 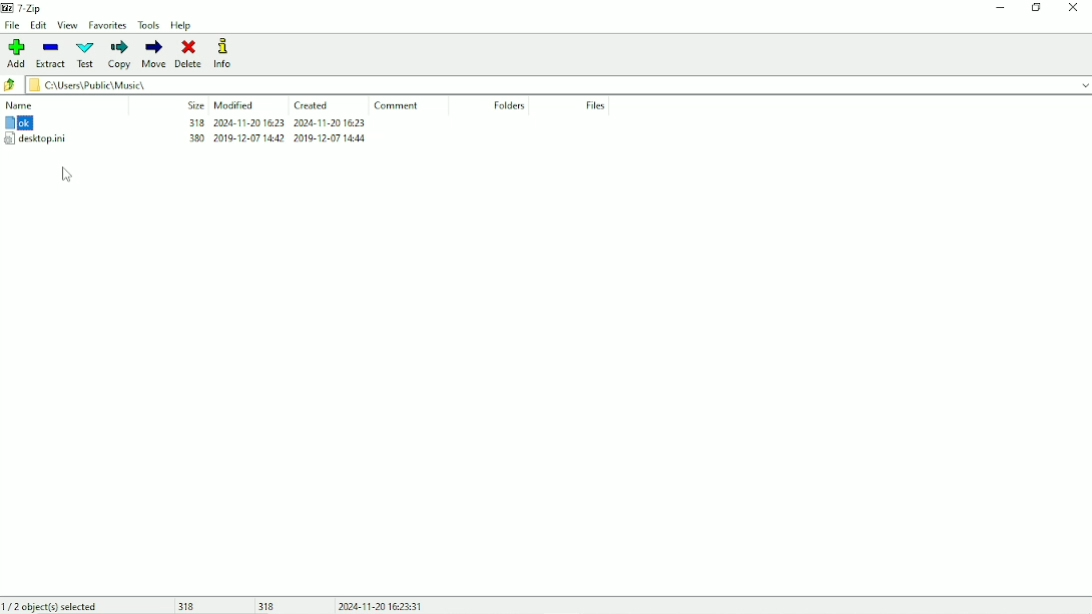 I want to click on Date and Time, so click(x=380, y=607).